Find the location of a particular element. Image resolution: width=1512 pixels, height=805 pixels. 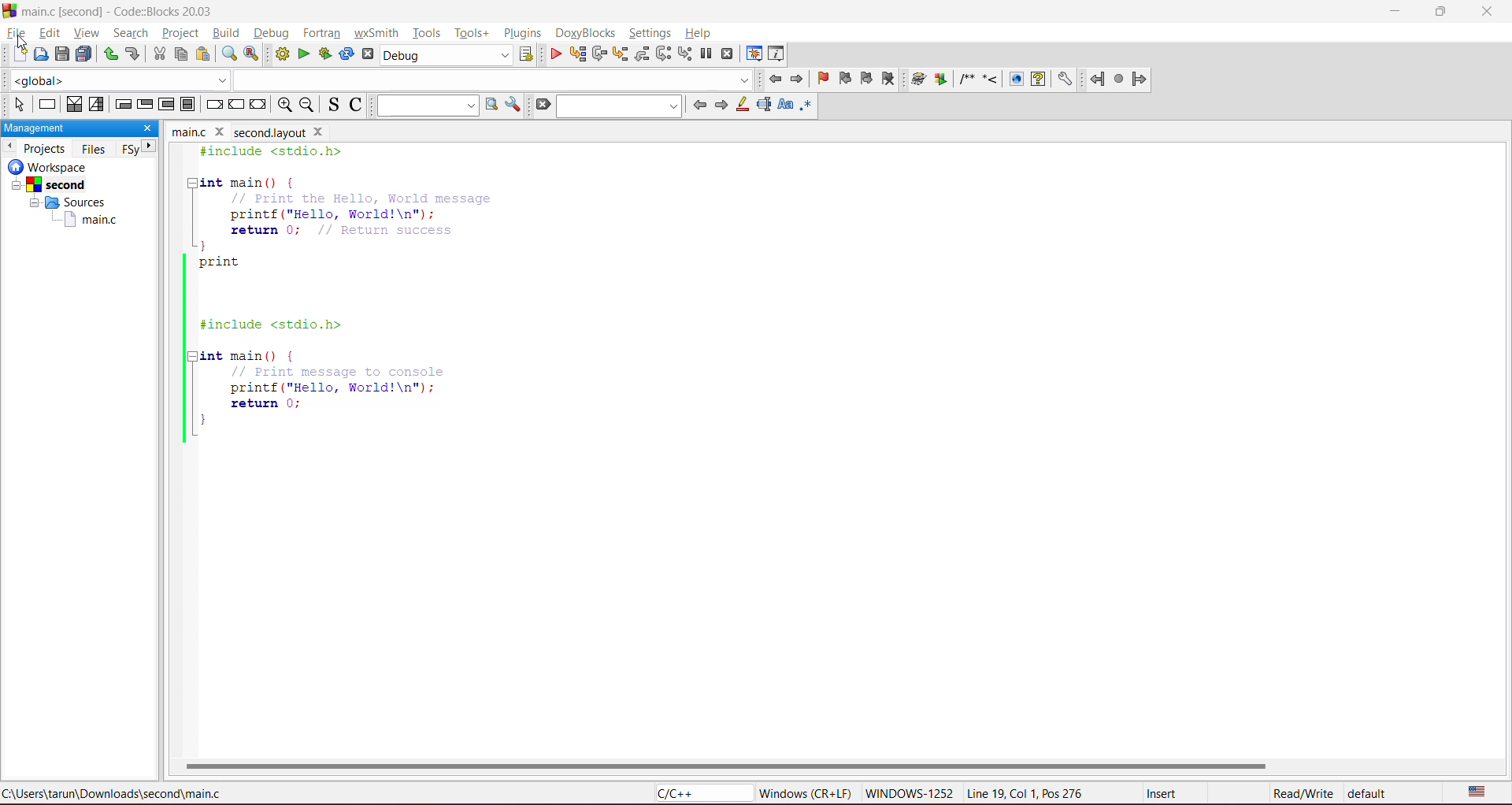

build is located at coordinates (228, 32).